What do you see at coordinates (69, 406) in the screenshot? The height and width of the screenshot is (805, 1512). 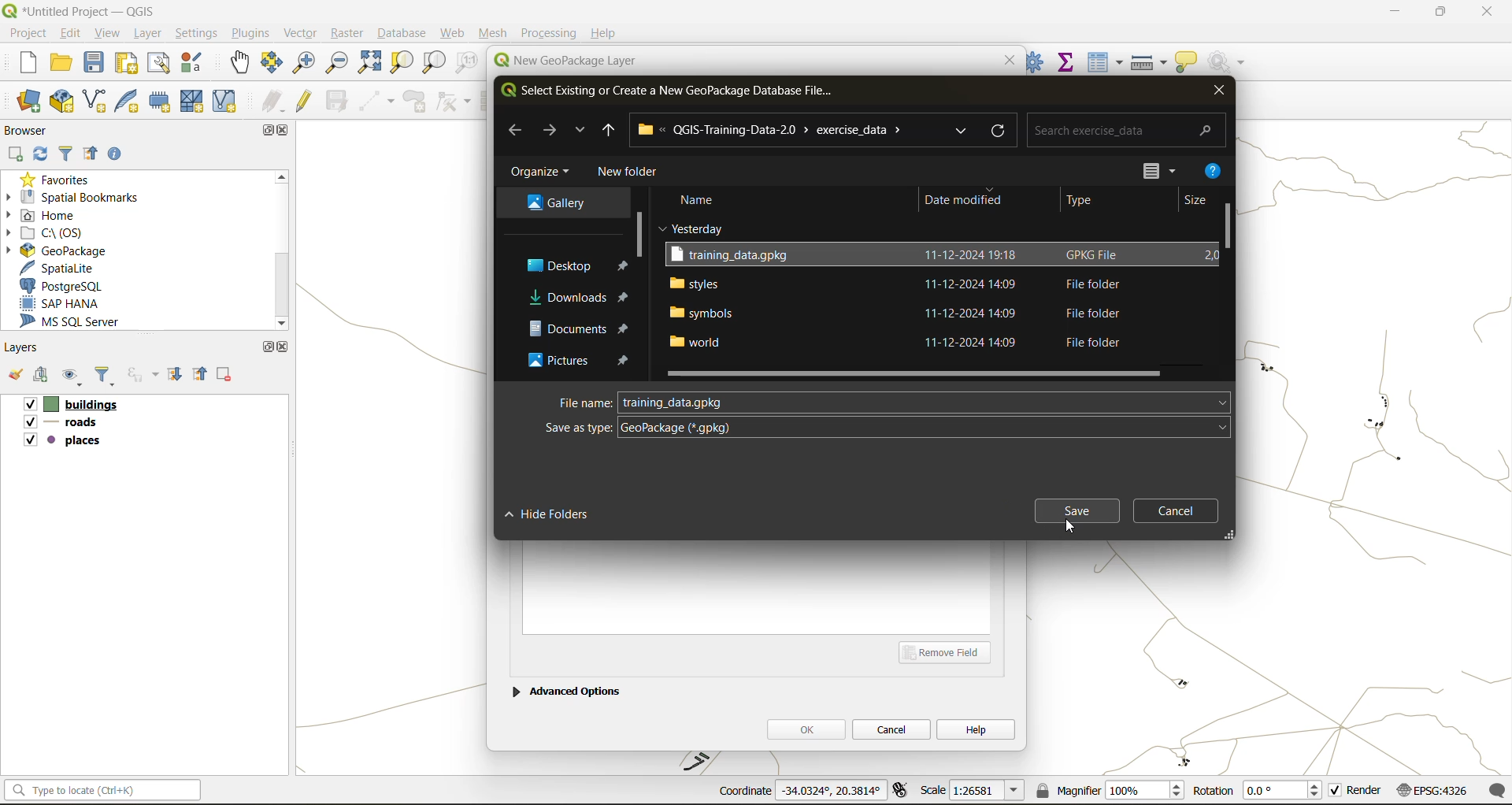 I see `buildings` at bounding box center [69, 406].